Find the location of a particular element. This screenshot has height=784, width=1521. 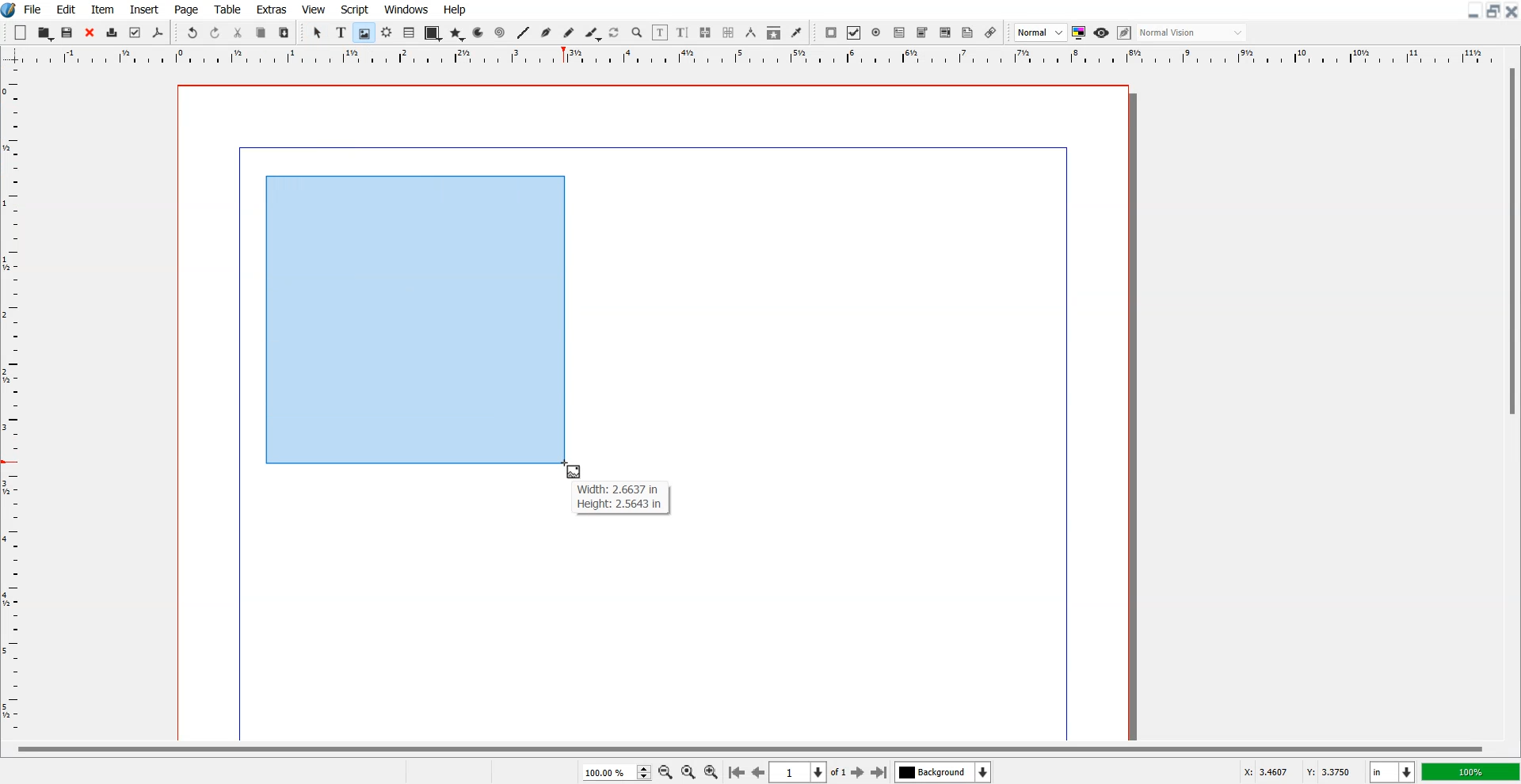

Open is located at coordinates (69, 32).